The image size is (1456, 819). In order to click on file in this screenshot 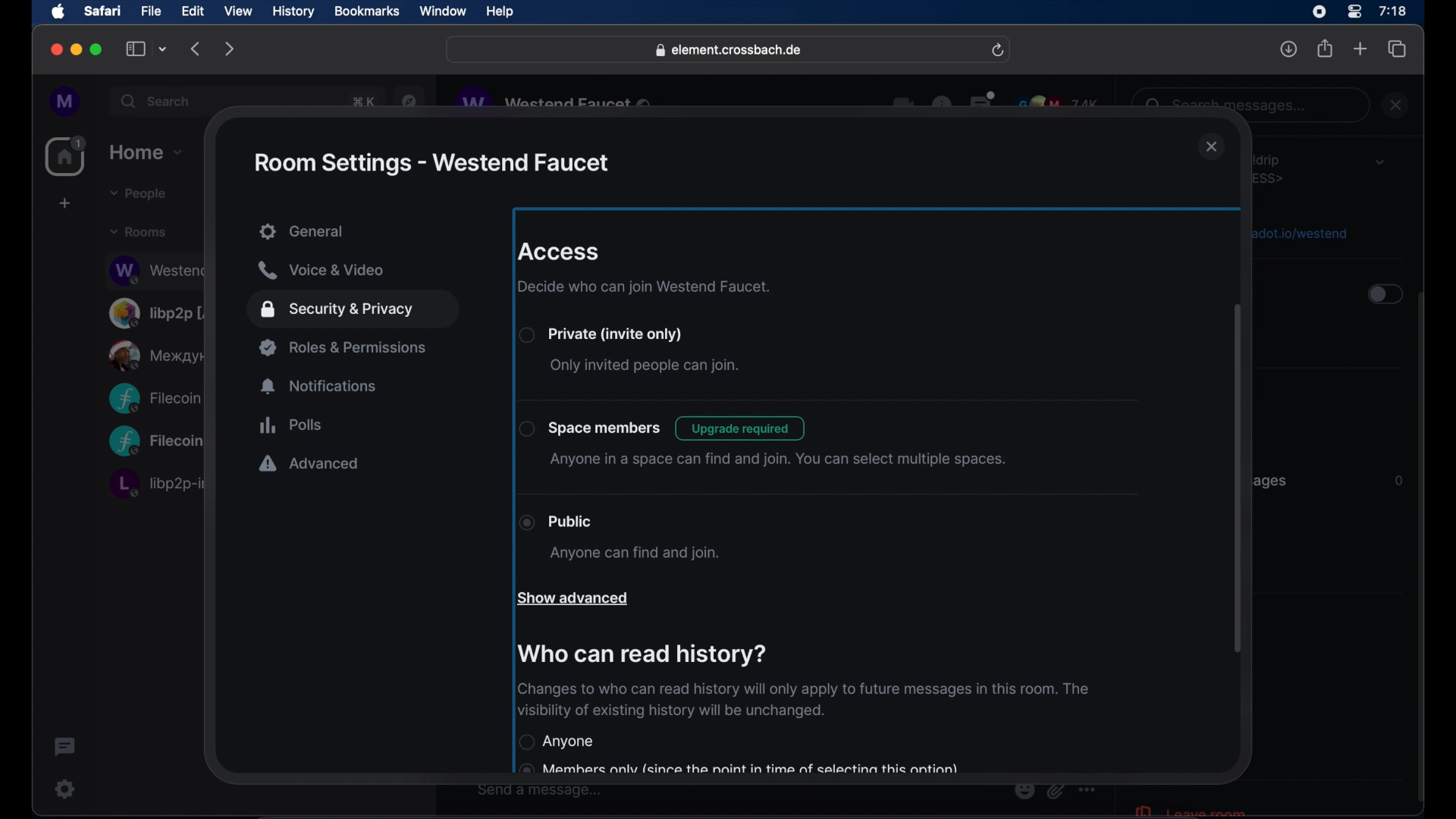, I will do `click(151, 11)`.